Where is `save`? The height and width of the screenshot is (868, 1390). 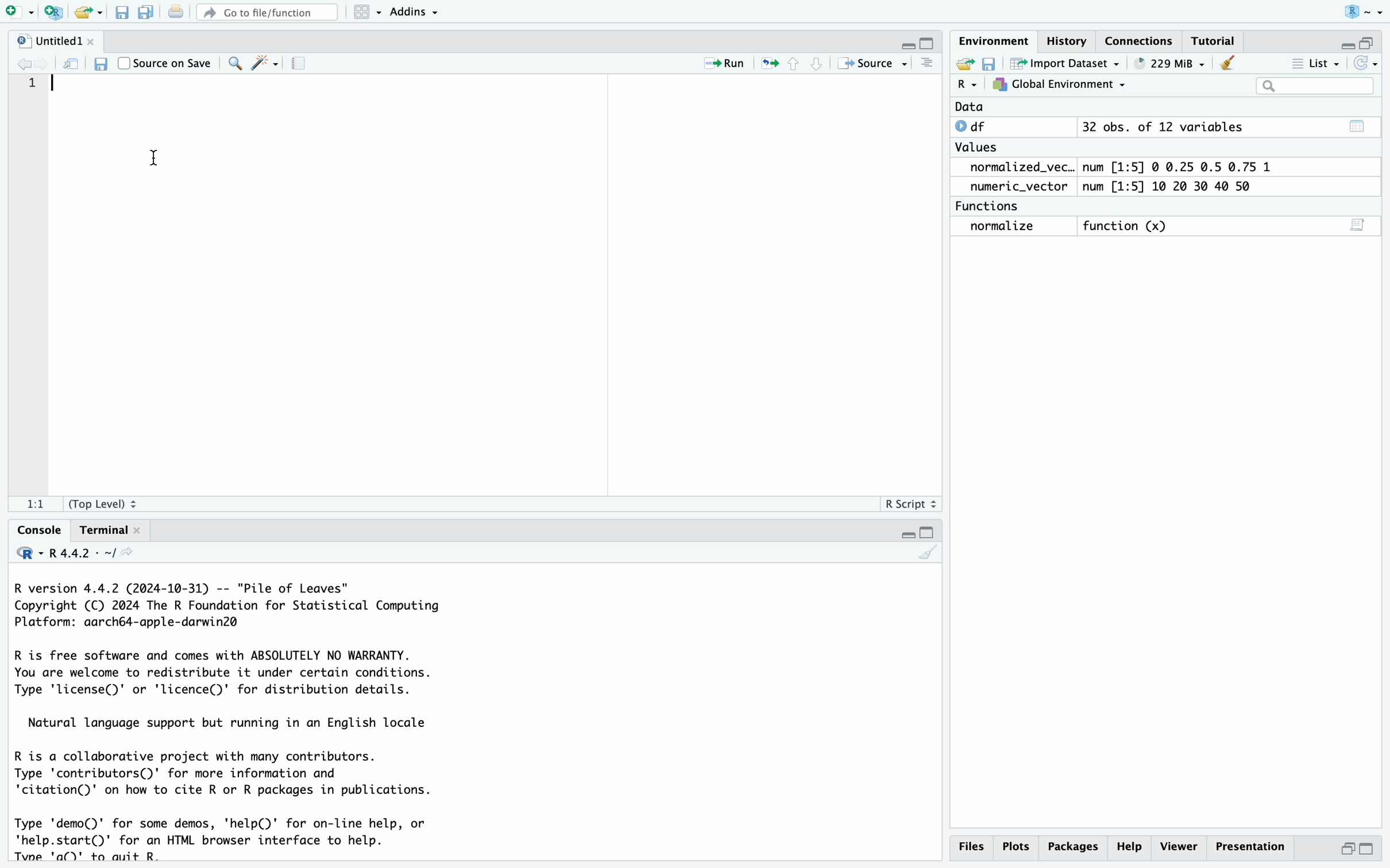
save is located at coordinates (991, 64).